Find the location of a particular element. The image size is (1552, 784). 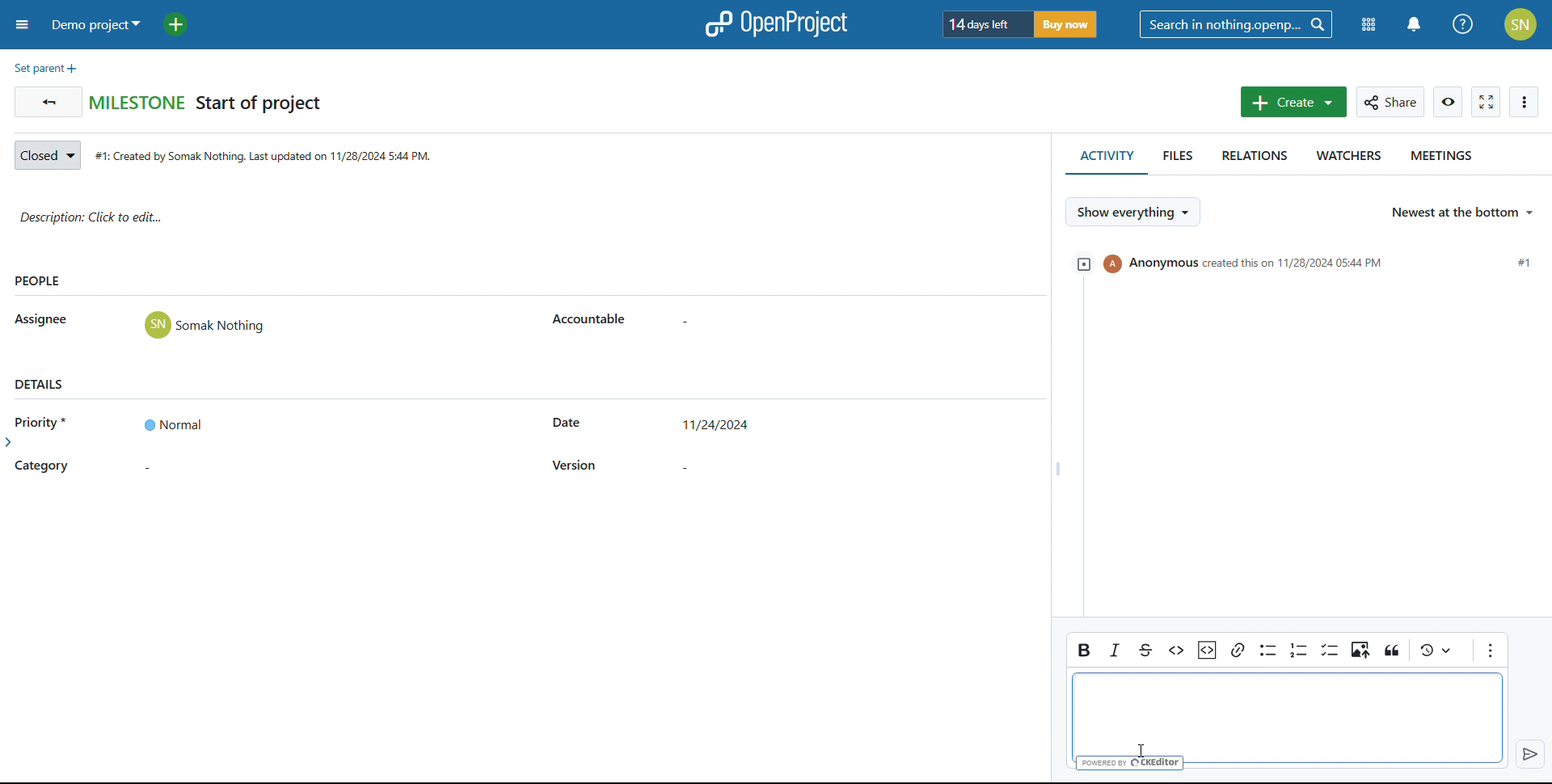

set priority is located at coordinates (171, 424).